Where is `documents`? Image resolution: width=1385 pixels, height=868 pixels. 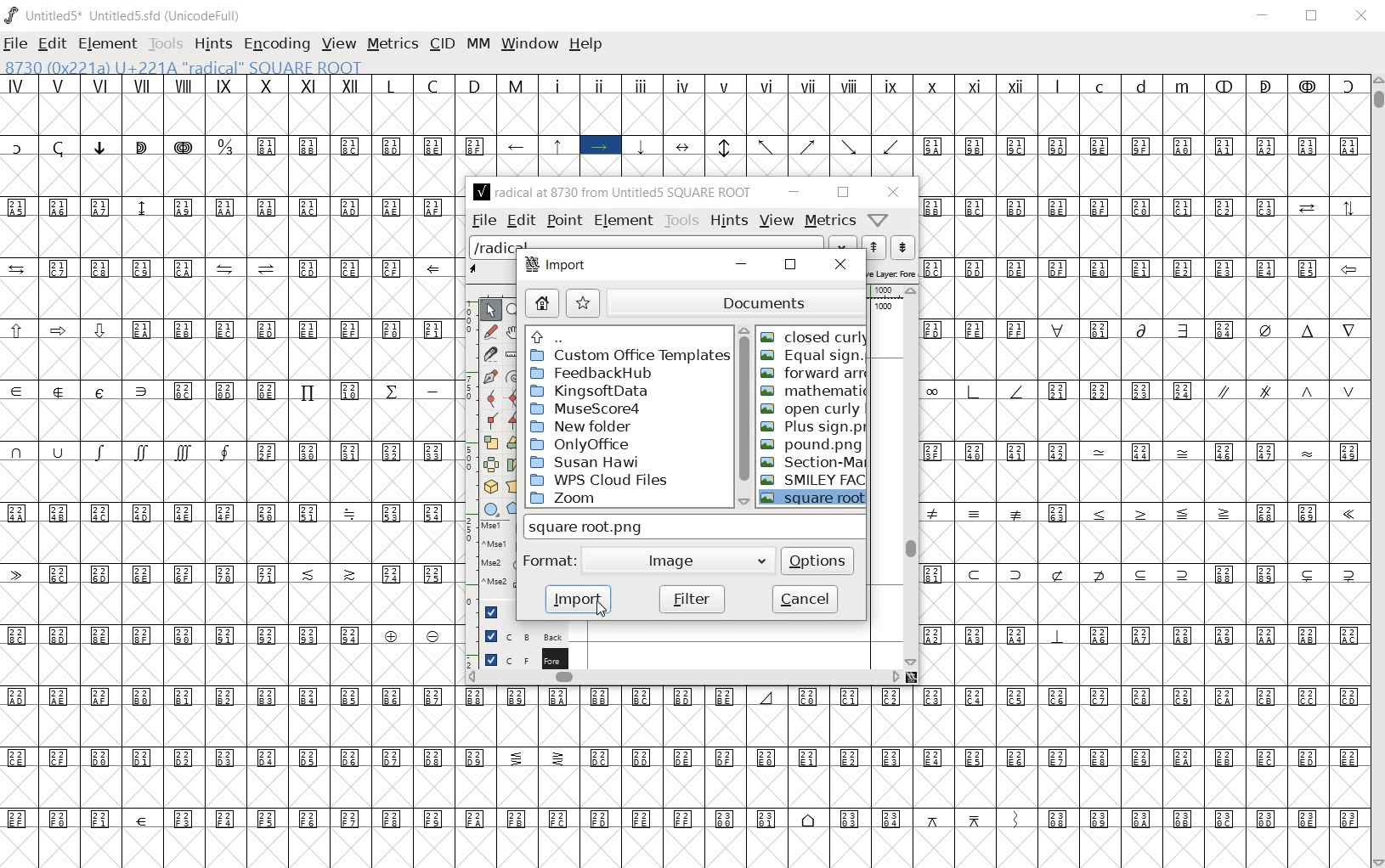
documents is located at coordinates (736, 300).